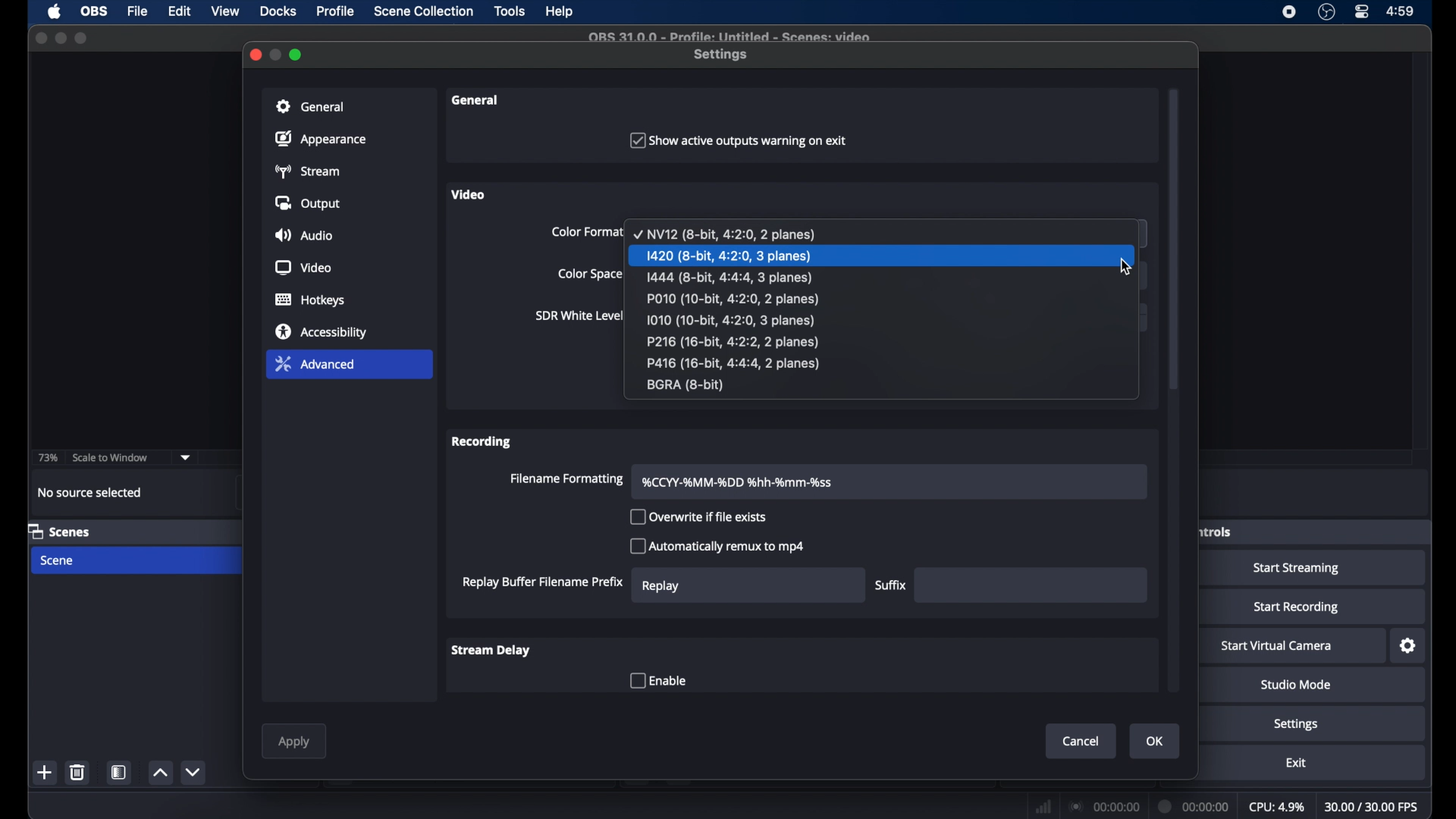 Image resolution: width=1456 pixels, height=819 pixels. What do you see at coordinates (1373, 806) in the screenshot?
I see `30.00/30.00 fps` at bounding box center [1373, 806].